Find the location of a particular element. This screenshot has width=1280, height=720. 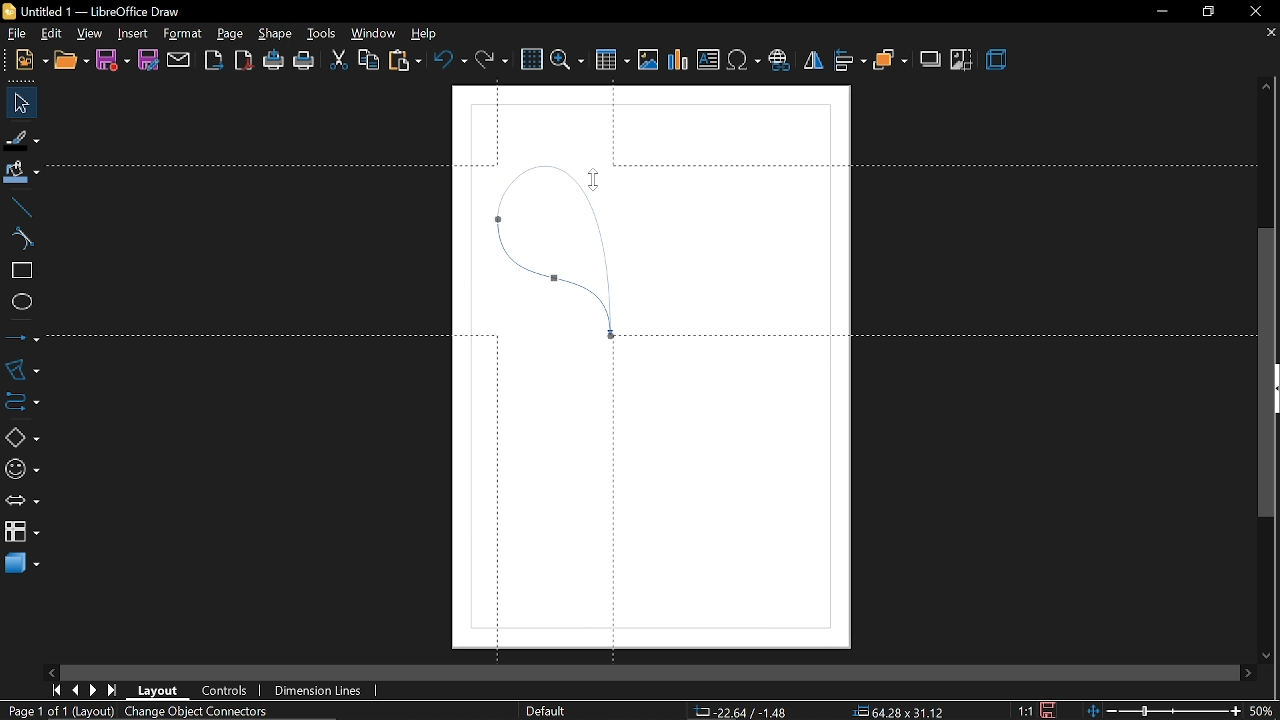

basic shapes is located at coordinates (18, 434).